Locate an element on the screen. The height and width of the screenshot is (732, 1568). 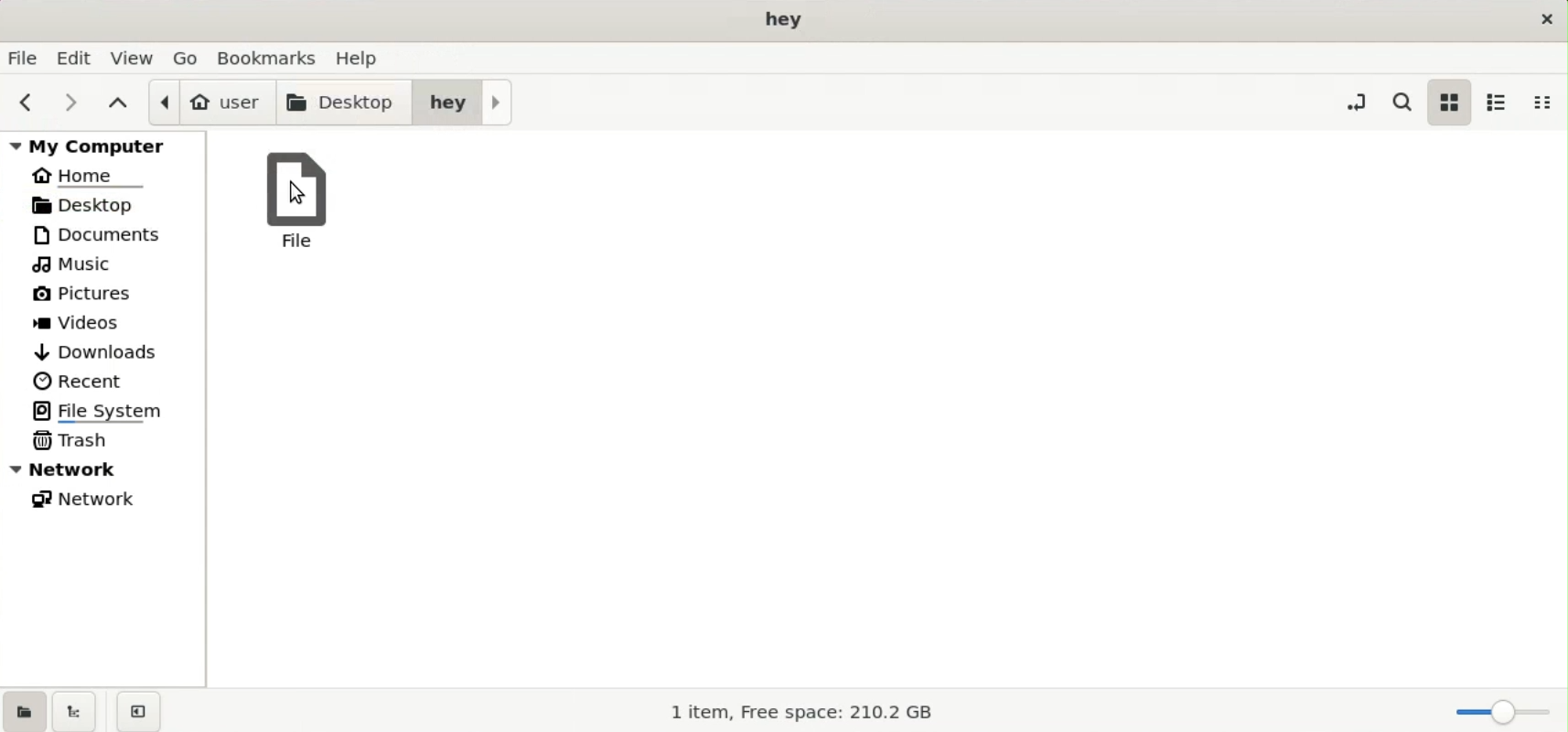
desktop is located at coordinates (102, 204).